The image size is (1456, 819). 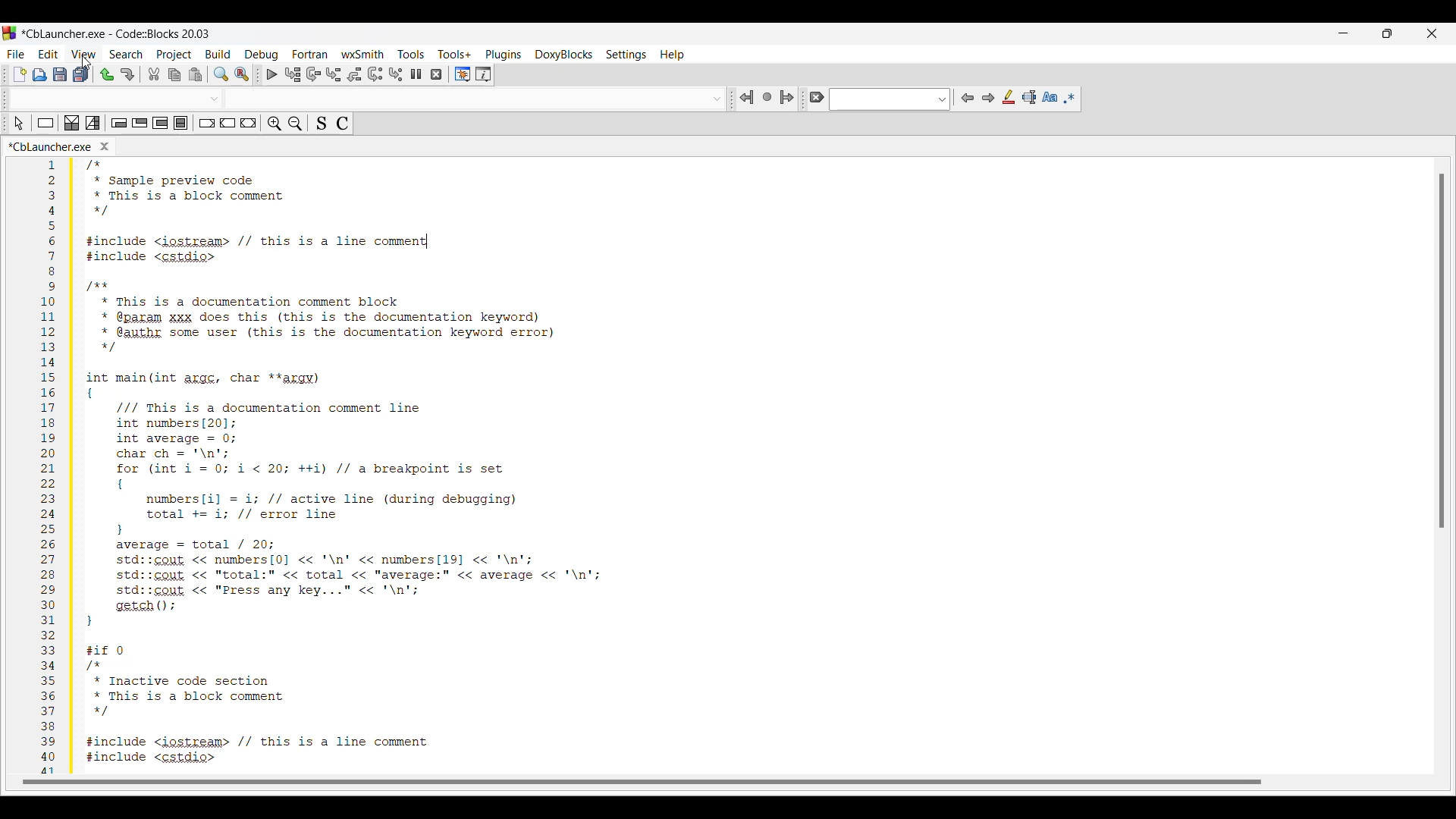 What do you see at coordinates (626, 55) in the screenshot?
I see `Settings menu` at bounding box center [626, 55].